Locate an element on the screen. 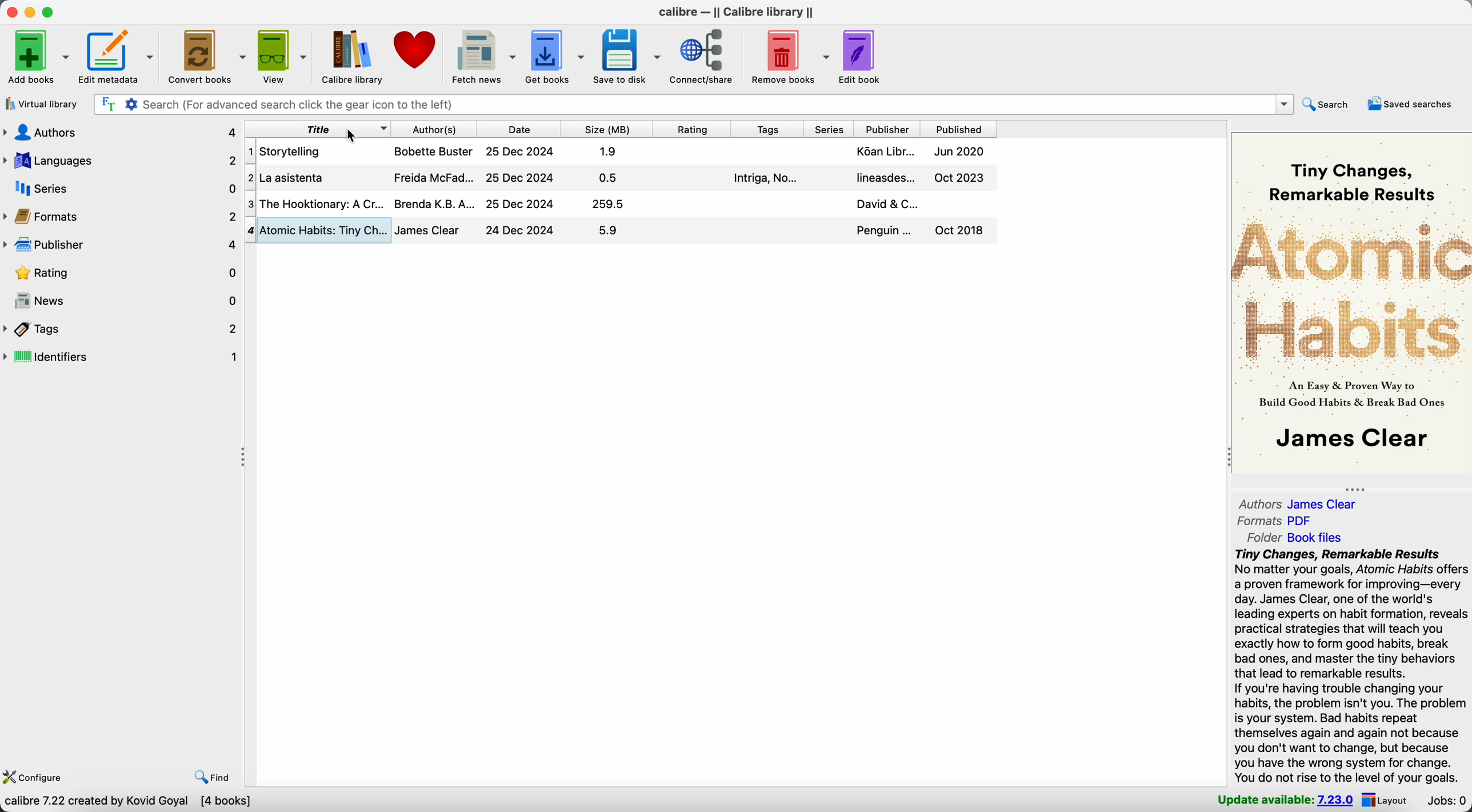  calibre library is located at coordinates (353, 59).